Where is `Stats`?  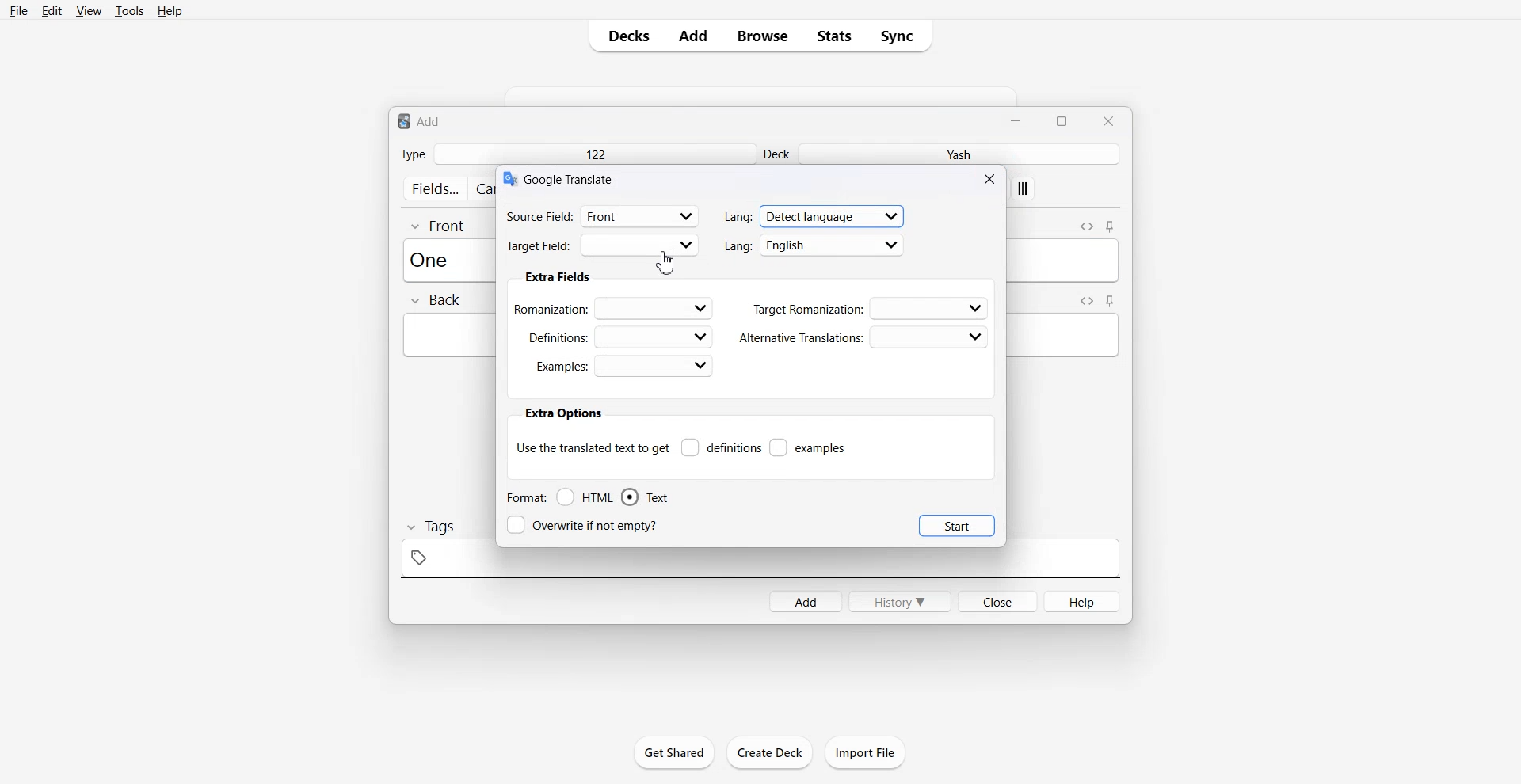
Stats is located at coordinates (833, 36).